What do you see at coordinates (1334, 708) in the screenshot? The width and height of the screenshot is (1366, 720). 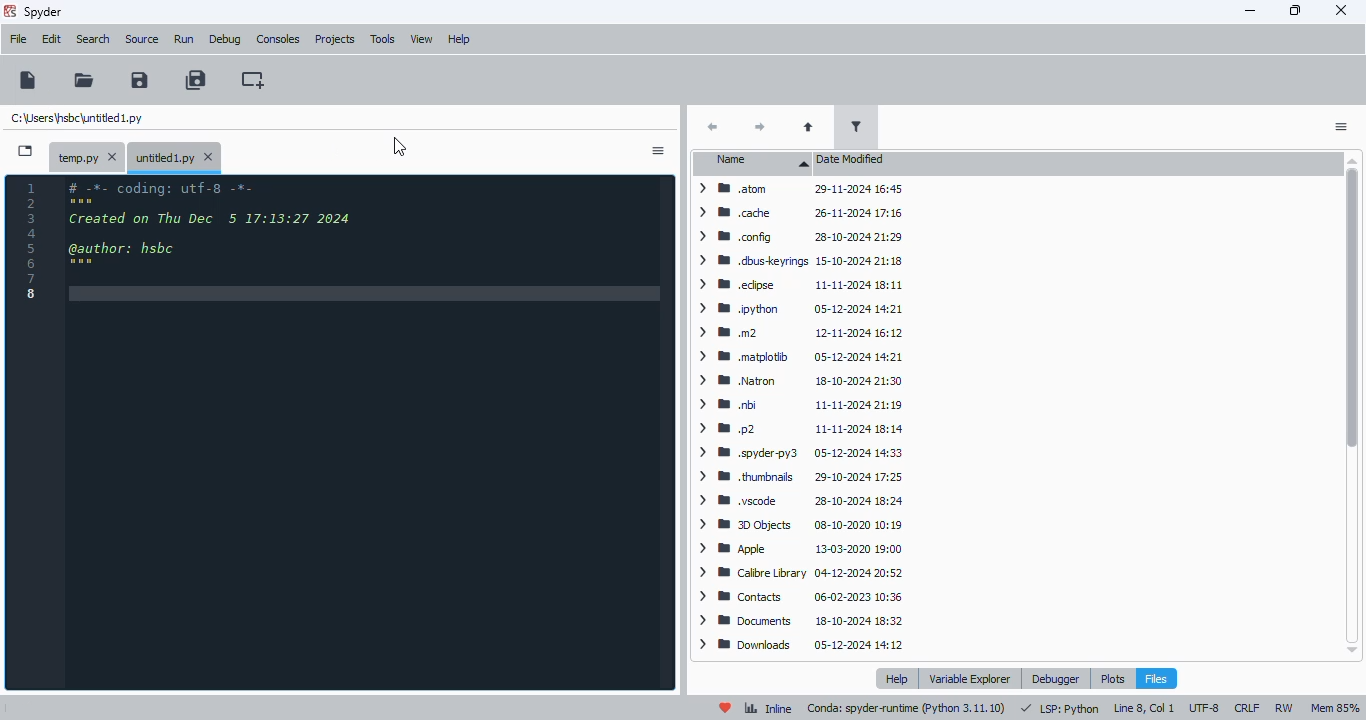 I see `mem 84%` at bounding box center [1334, 708].